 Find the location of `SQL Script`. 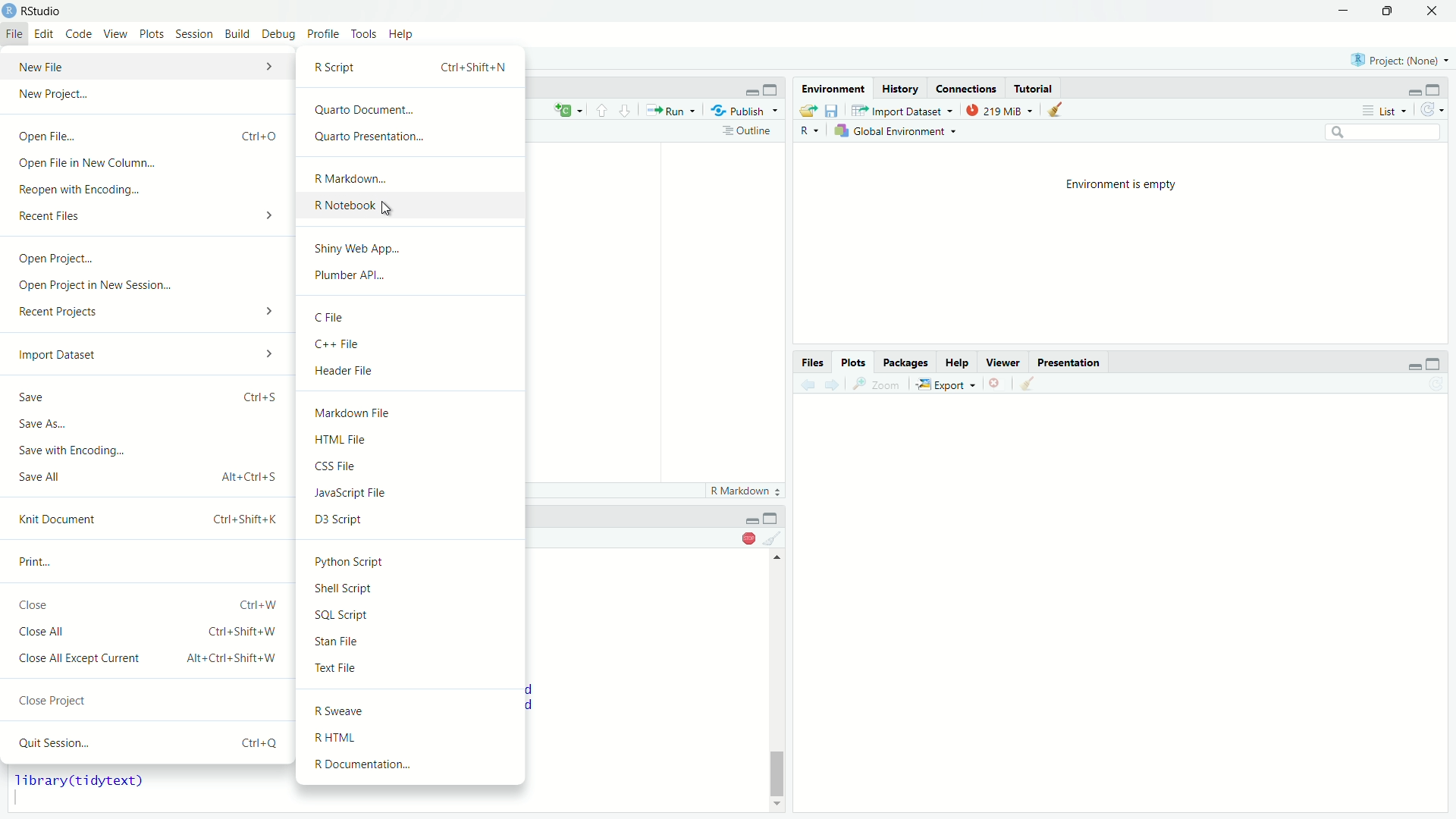

SQL Script is located at coordinates (410, 613).